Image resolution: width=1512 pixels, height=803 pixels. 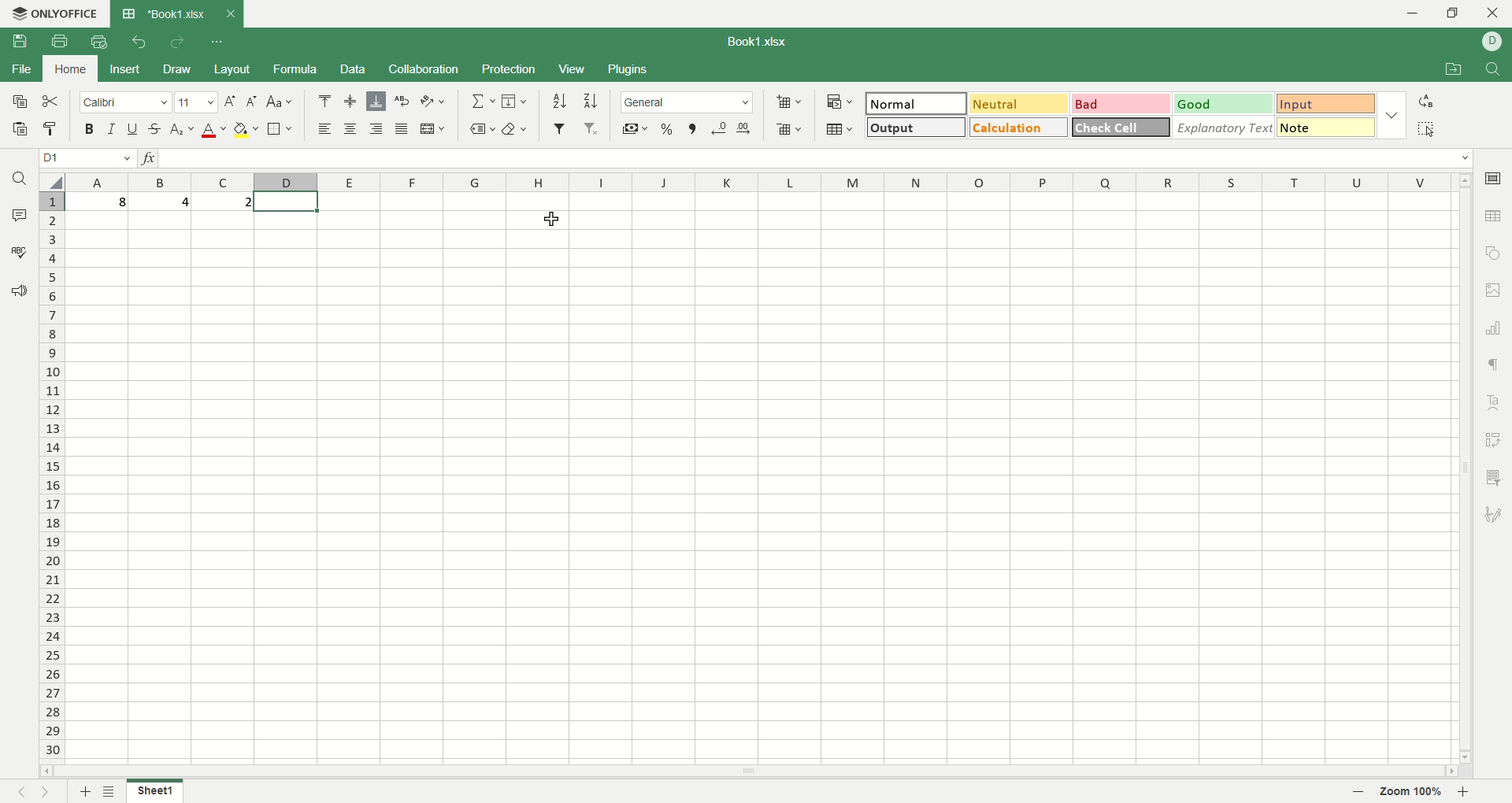 I want to click on underline, so click(x=133, y=128).